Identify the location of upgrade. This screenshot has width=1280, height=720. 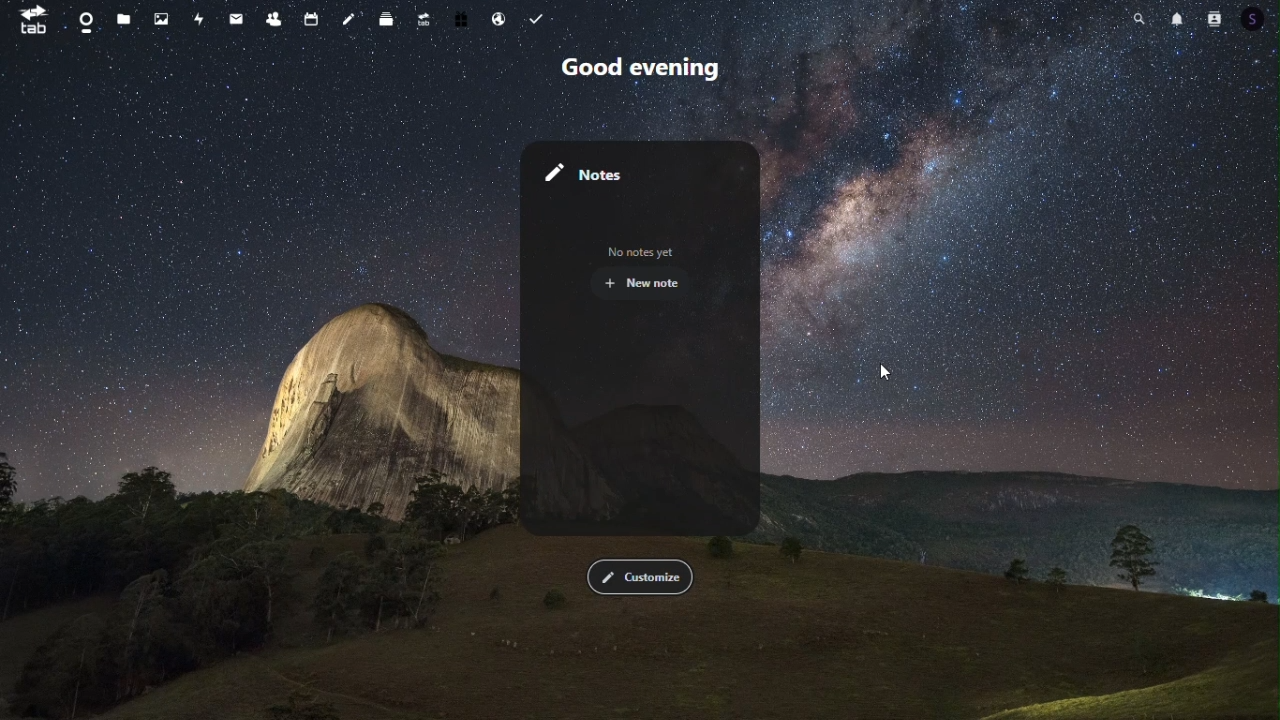
(424, 21).